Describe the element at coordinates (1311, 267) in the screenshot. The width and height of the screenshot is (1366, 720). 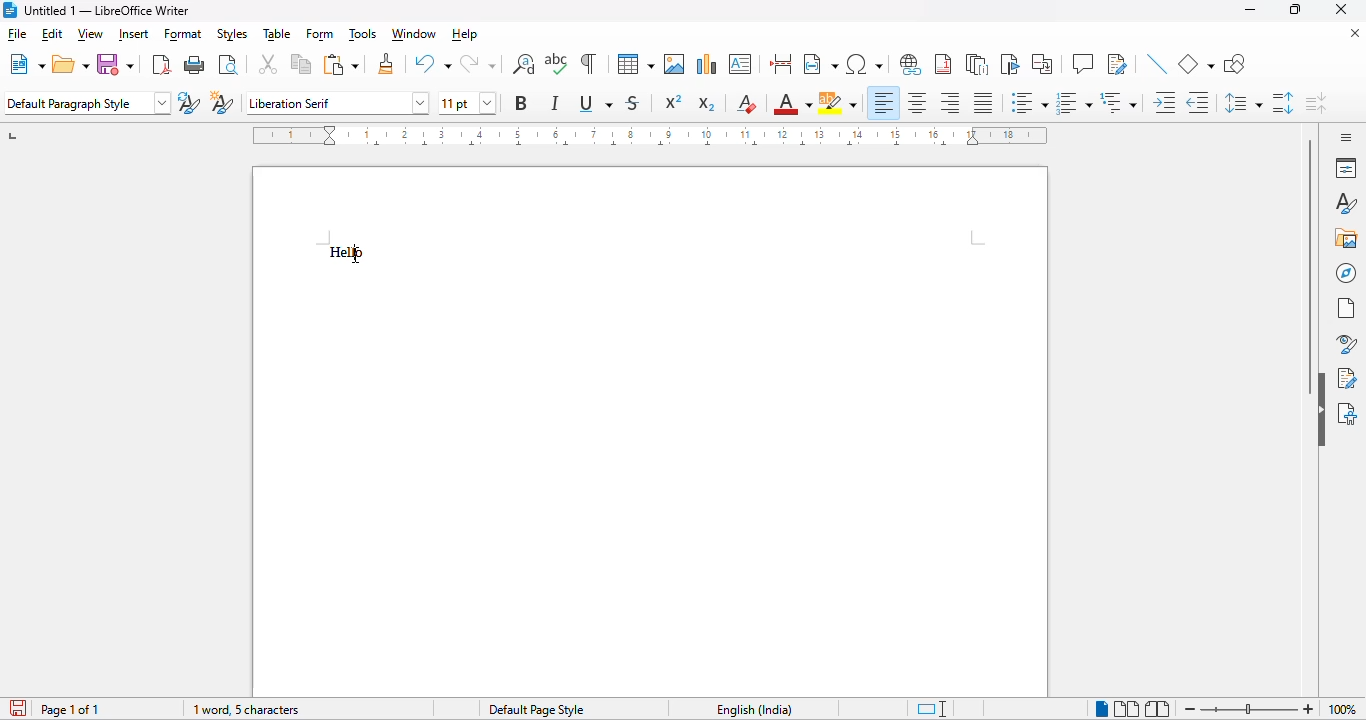
I see `vertical scroll bar` at that location.